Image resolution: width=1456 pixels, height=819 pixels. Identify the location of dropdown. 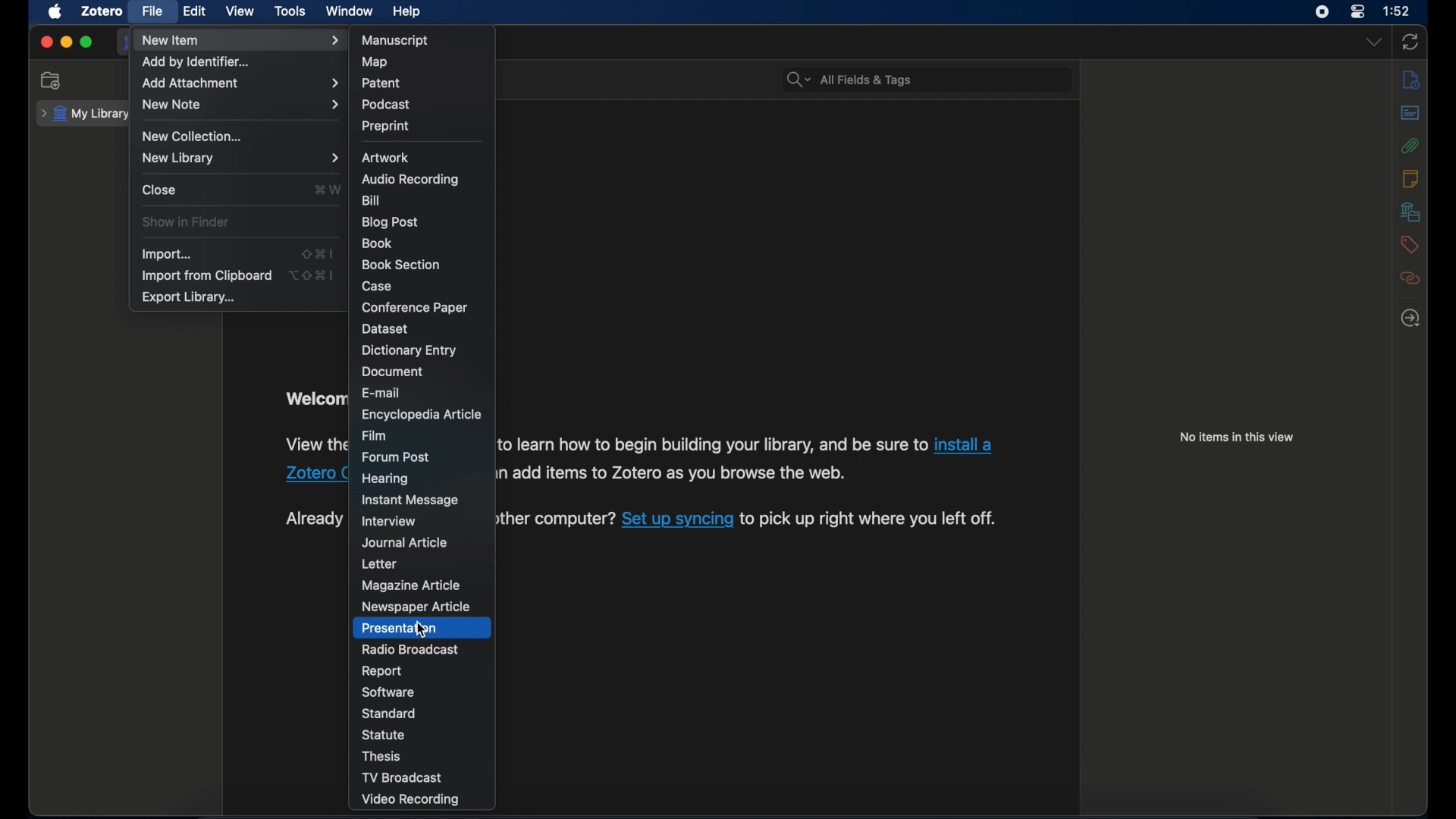
(1374, 43).